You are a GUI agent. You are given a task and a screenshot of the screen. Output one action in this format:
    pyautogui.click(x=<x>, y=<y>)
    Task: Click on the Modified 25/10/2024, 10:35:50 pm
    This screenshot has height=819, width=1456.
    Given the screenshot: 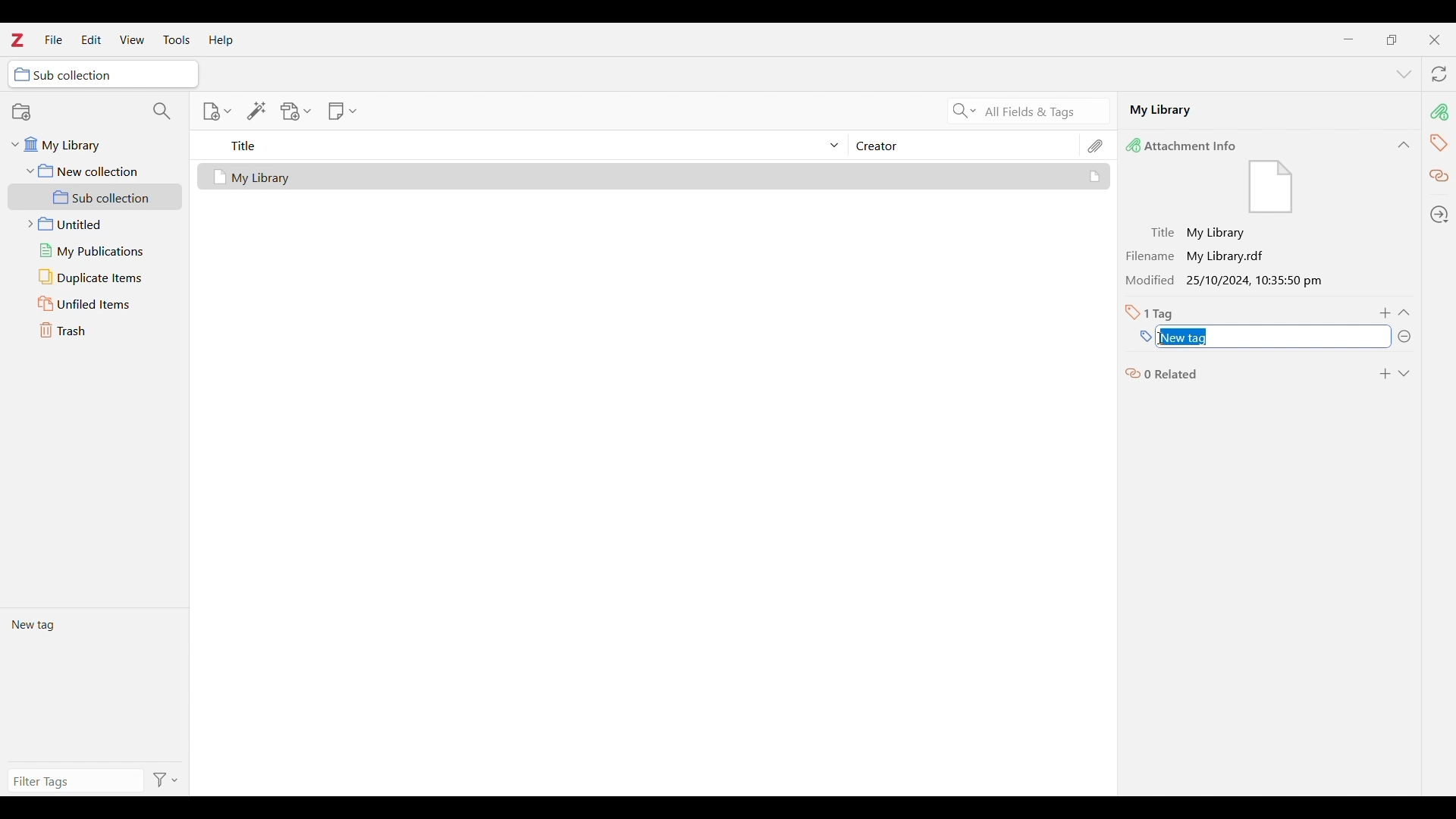 What is the action you would take?
    pyautogui.click(x=1228, y=281)
    